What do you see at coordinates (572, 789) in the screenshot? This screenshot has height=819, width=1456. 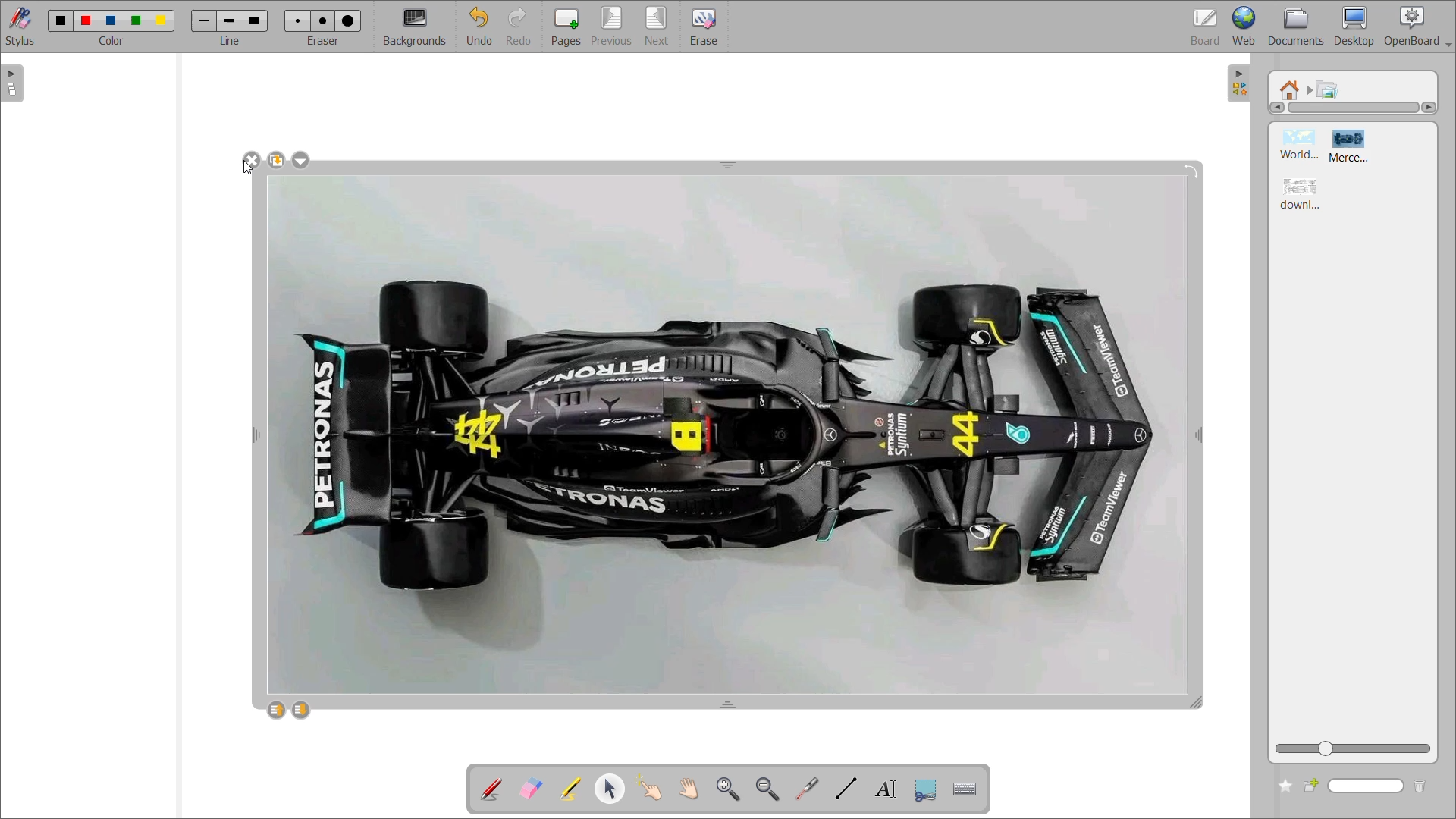 I see `highlight` at bounding box center [572, 789].